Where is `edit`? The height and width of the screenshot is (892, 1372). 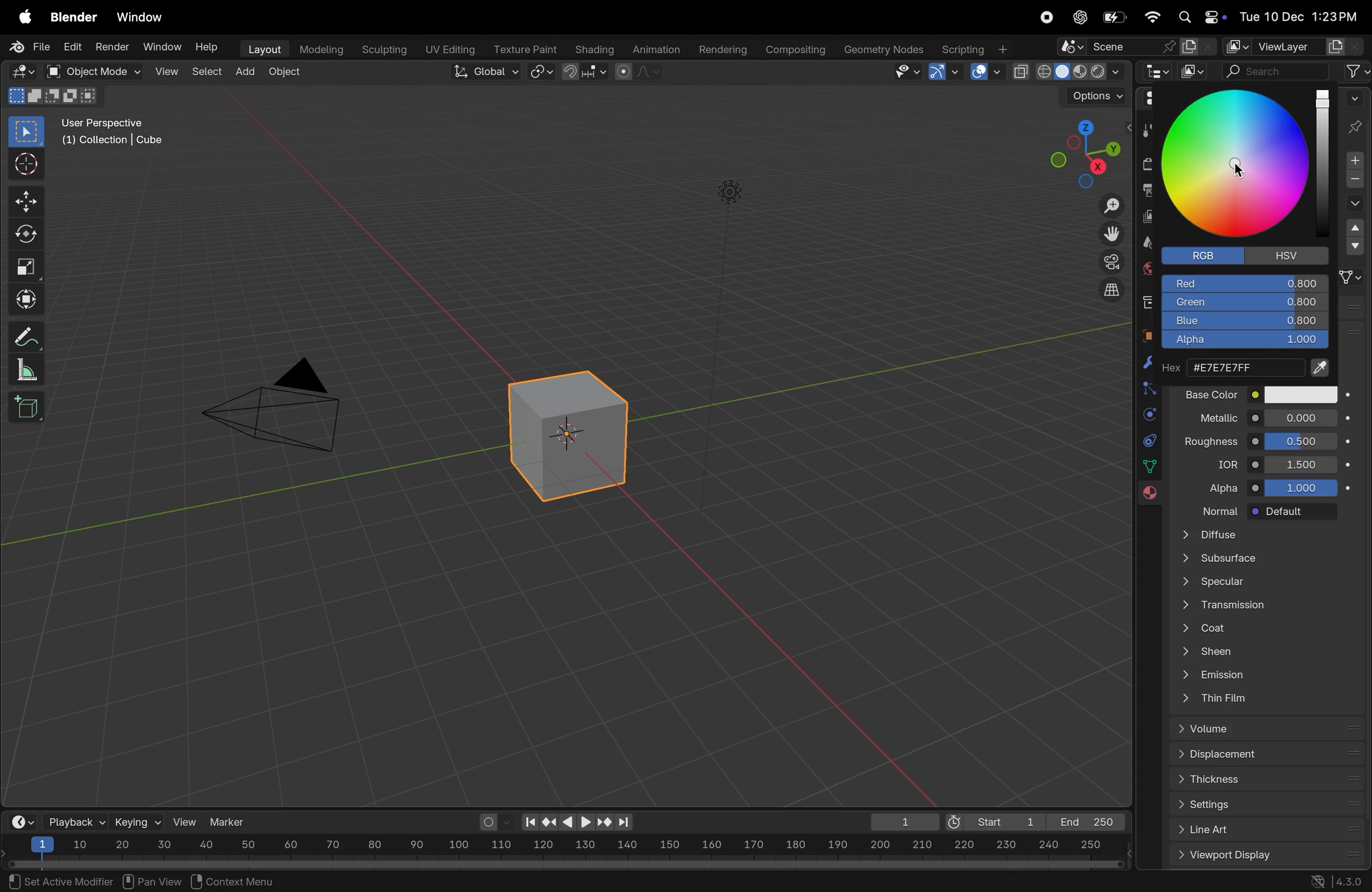
edit is located at coordinates (69, 48).